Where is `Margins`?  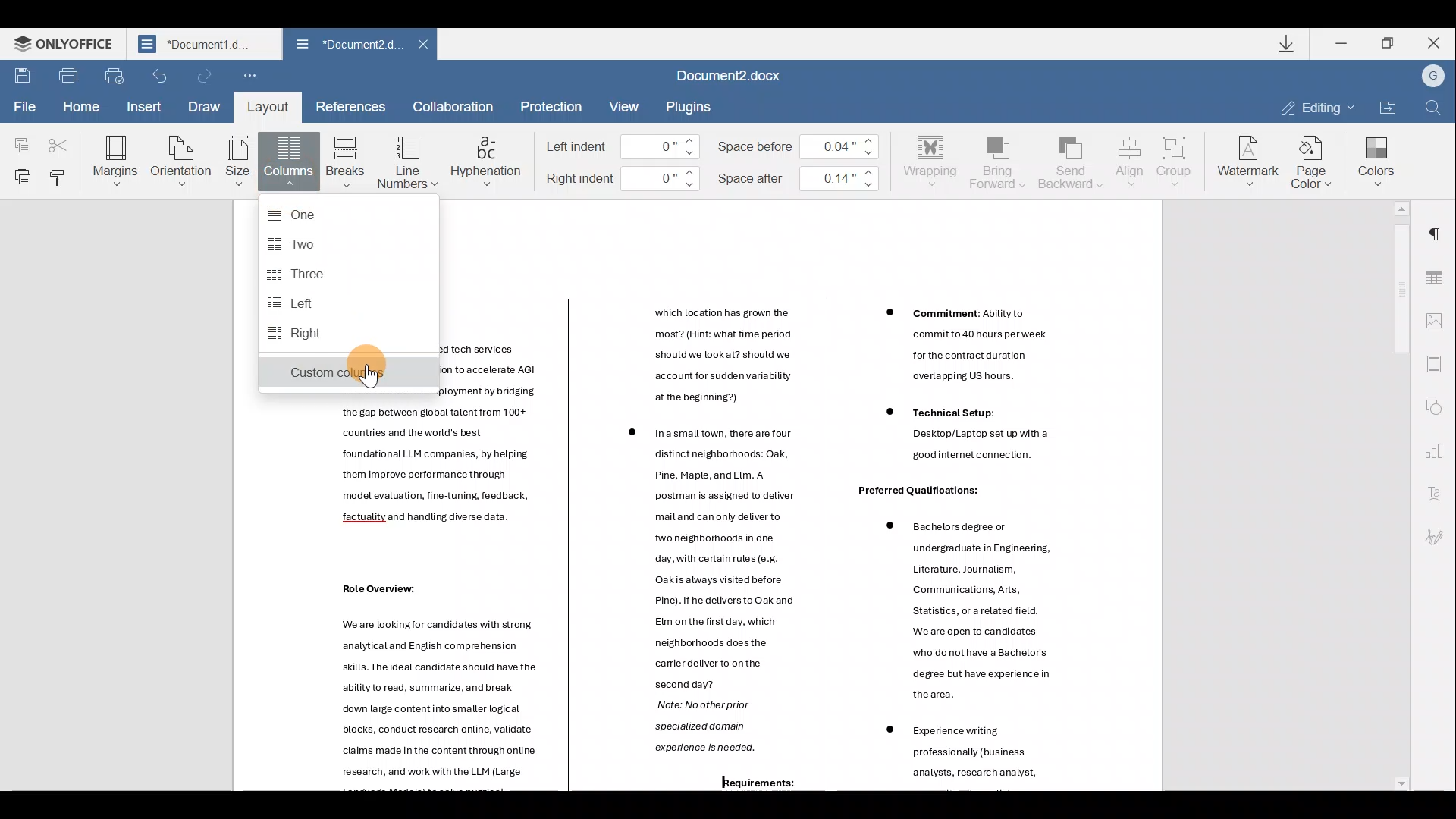
Margins is located at coordinates (114, 159).